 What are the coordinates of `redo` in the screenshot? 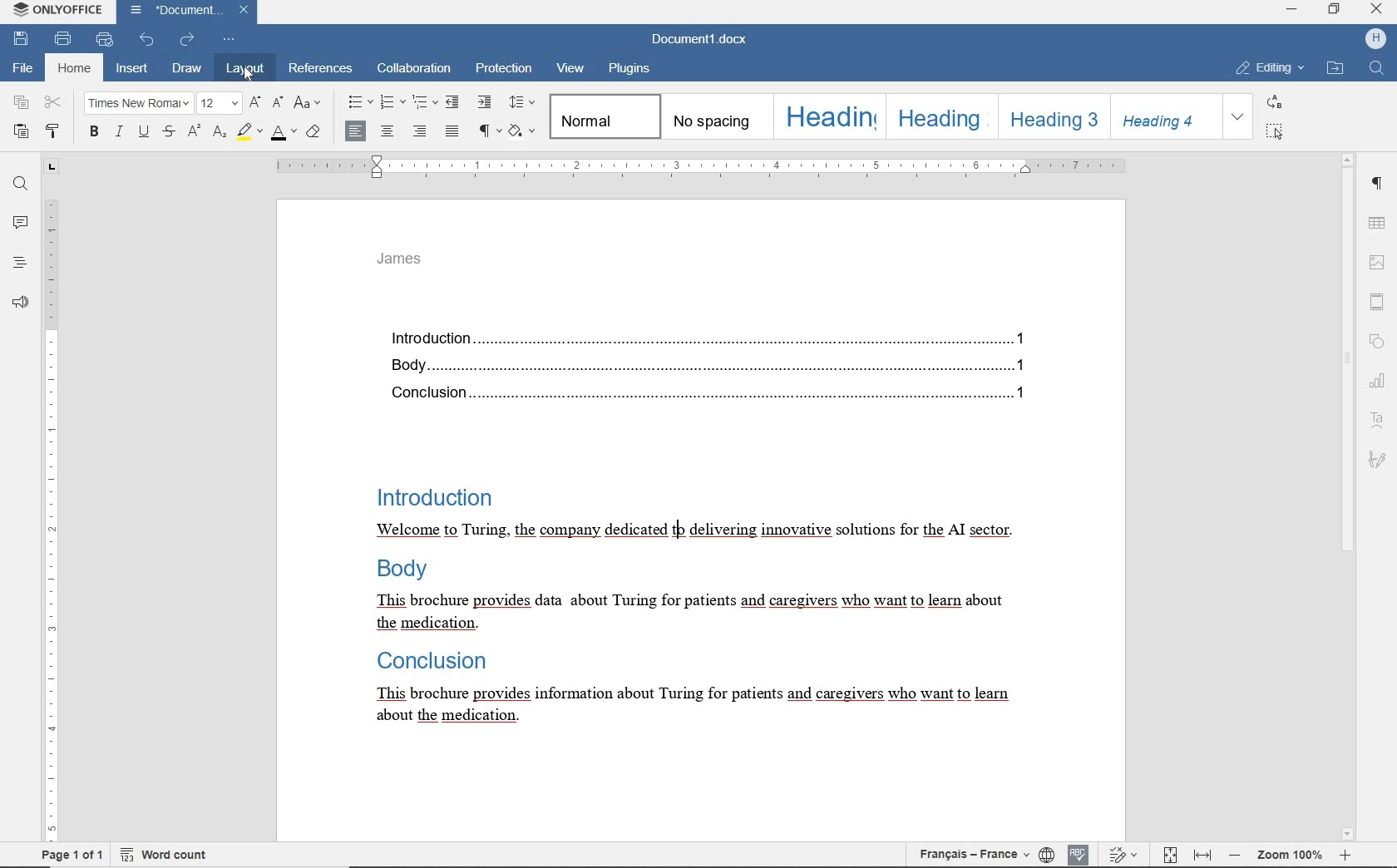 It's located at (186, 40).